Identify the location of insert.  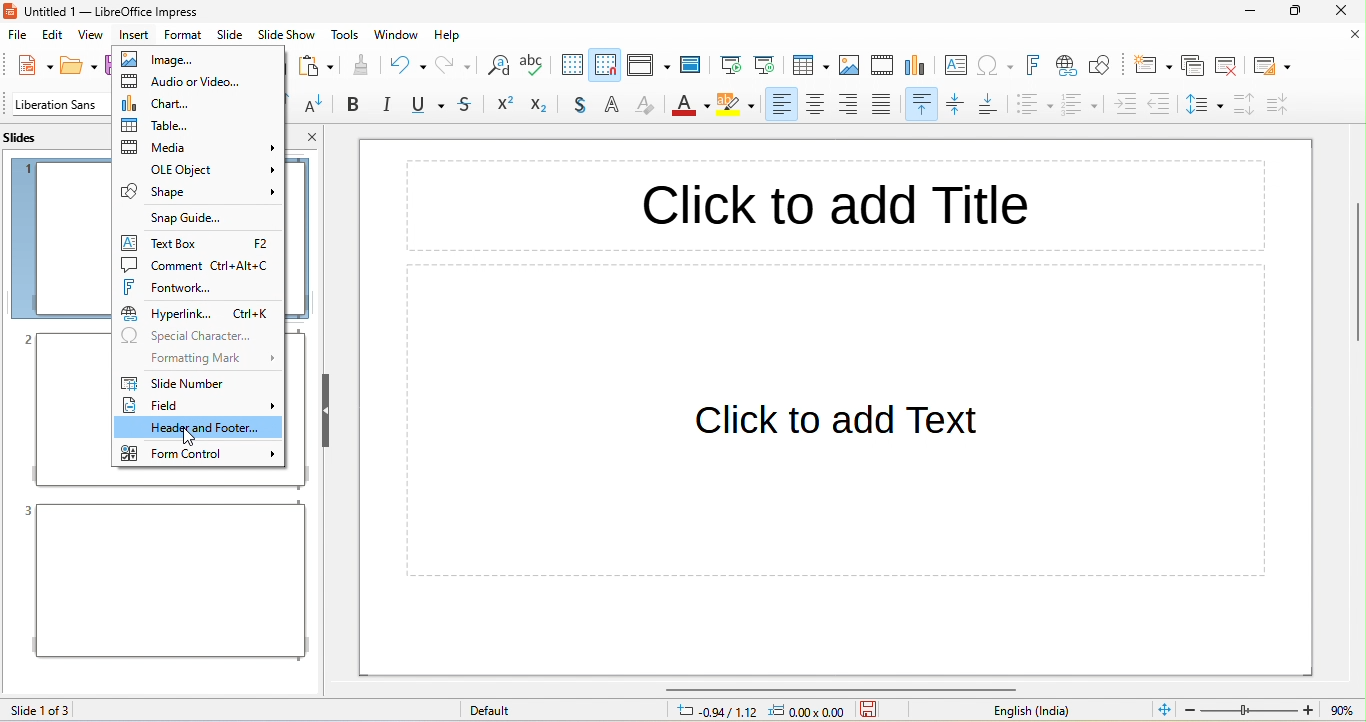
(134, 35).